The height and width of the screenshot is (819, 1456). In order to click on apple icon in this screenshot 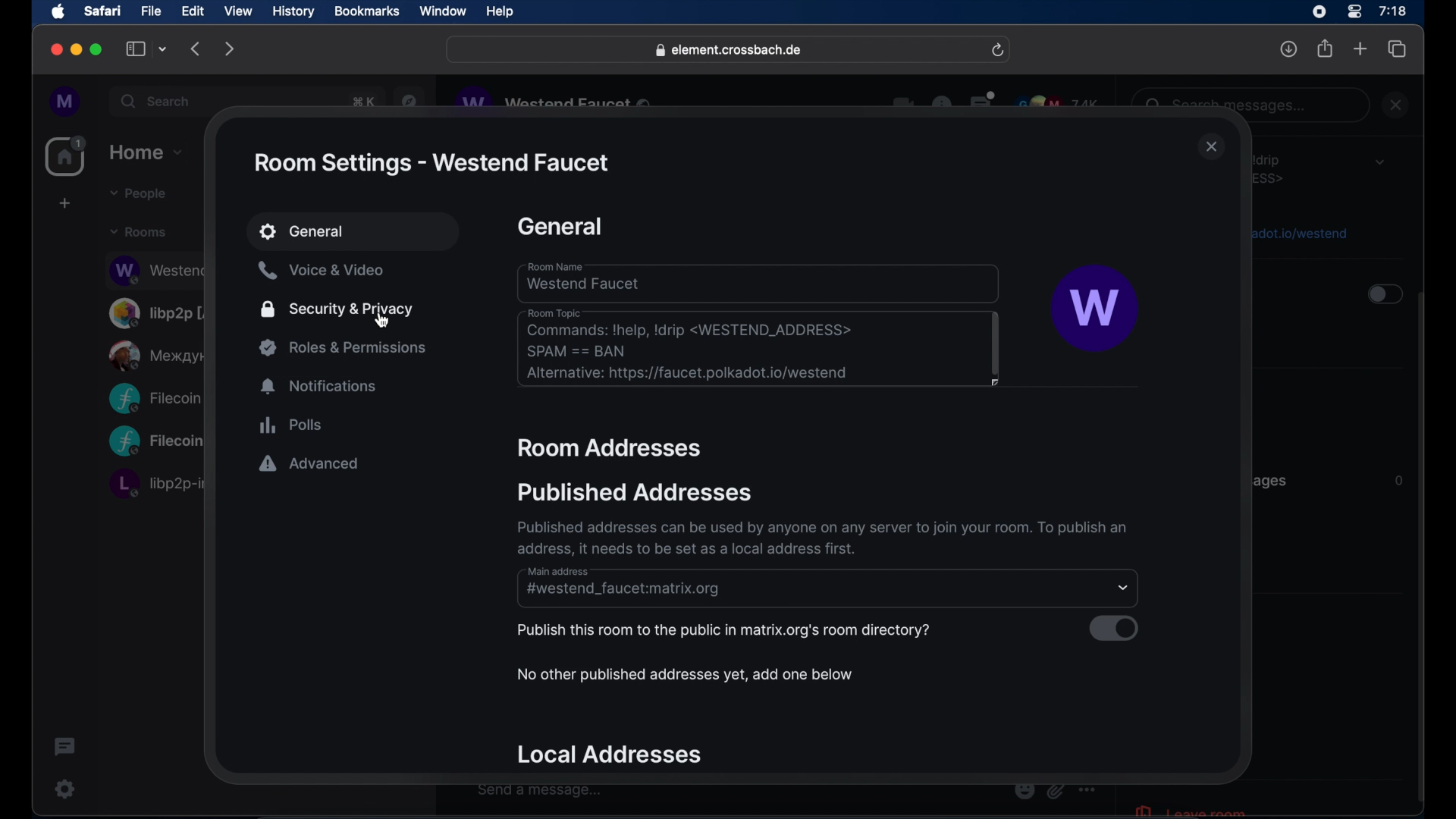, I will do `click(58, 12)`.